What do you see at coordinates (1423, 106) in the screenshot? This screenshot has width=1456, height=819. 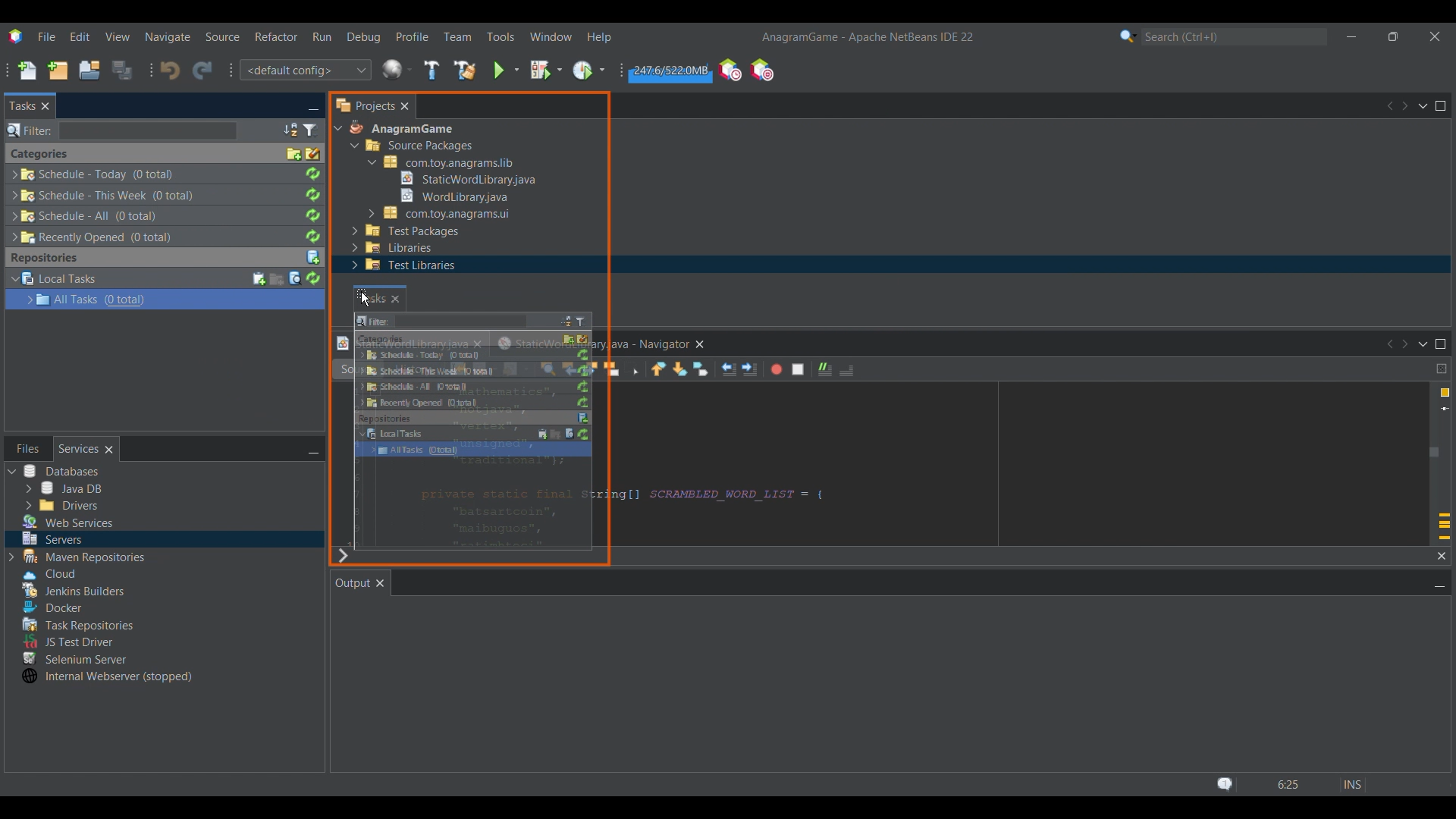 I see `Show opened documents list` at bounding box center [1423, 106].